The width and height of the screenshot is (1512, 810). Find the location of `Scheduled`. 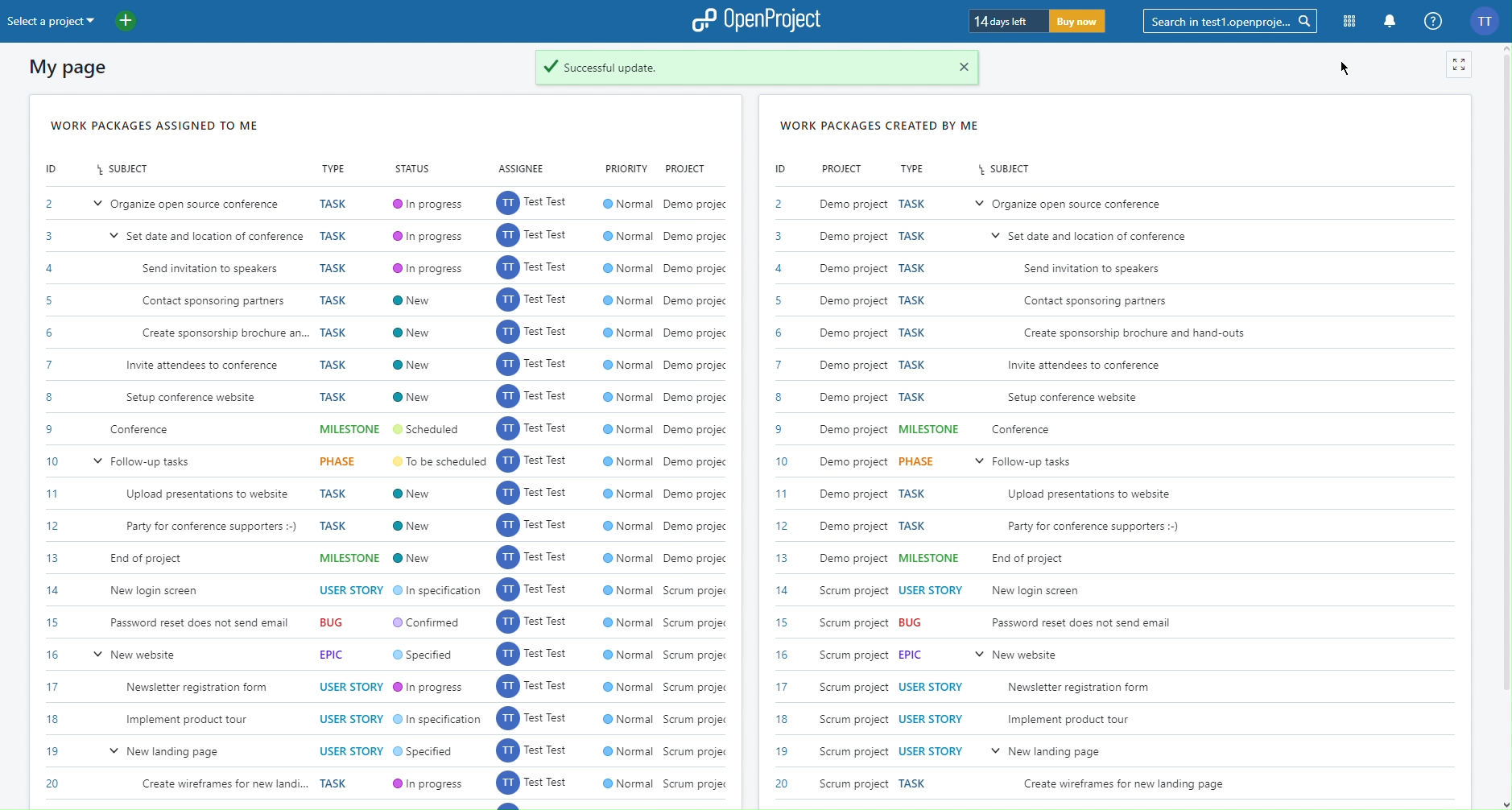

Scheduled is located at coordinates (432, 431).